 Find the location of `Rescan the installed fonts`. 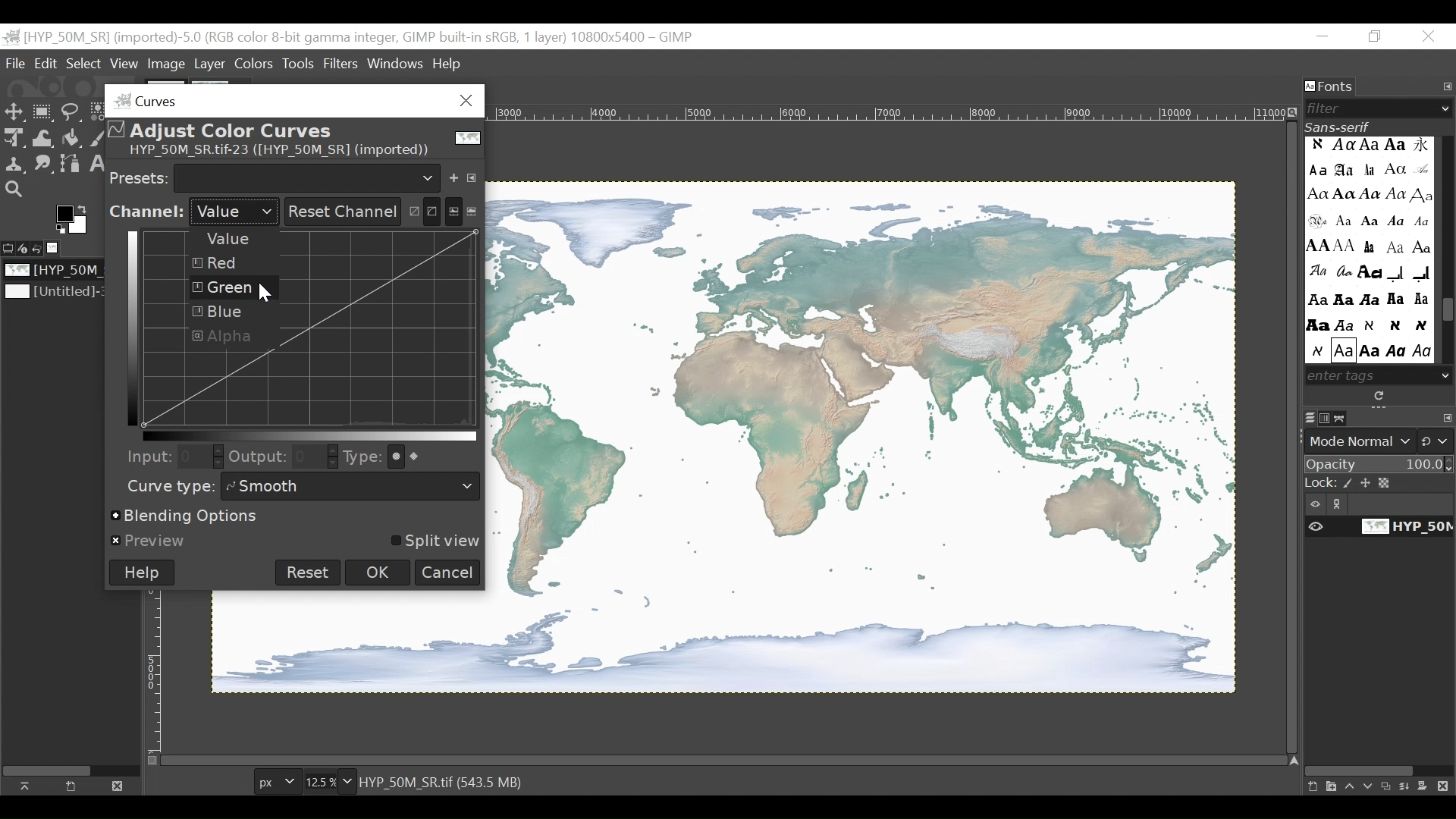

Rescan the installed fonts is located at coordinates (1381, 396).